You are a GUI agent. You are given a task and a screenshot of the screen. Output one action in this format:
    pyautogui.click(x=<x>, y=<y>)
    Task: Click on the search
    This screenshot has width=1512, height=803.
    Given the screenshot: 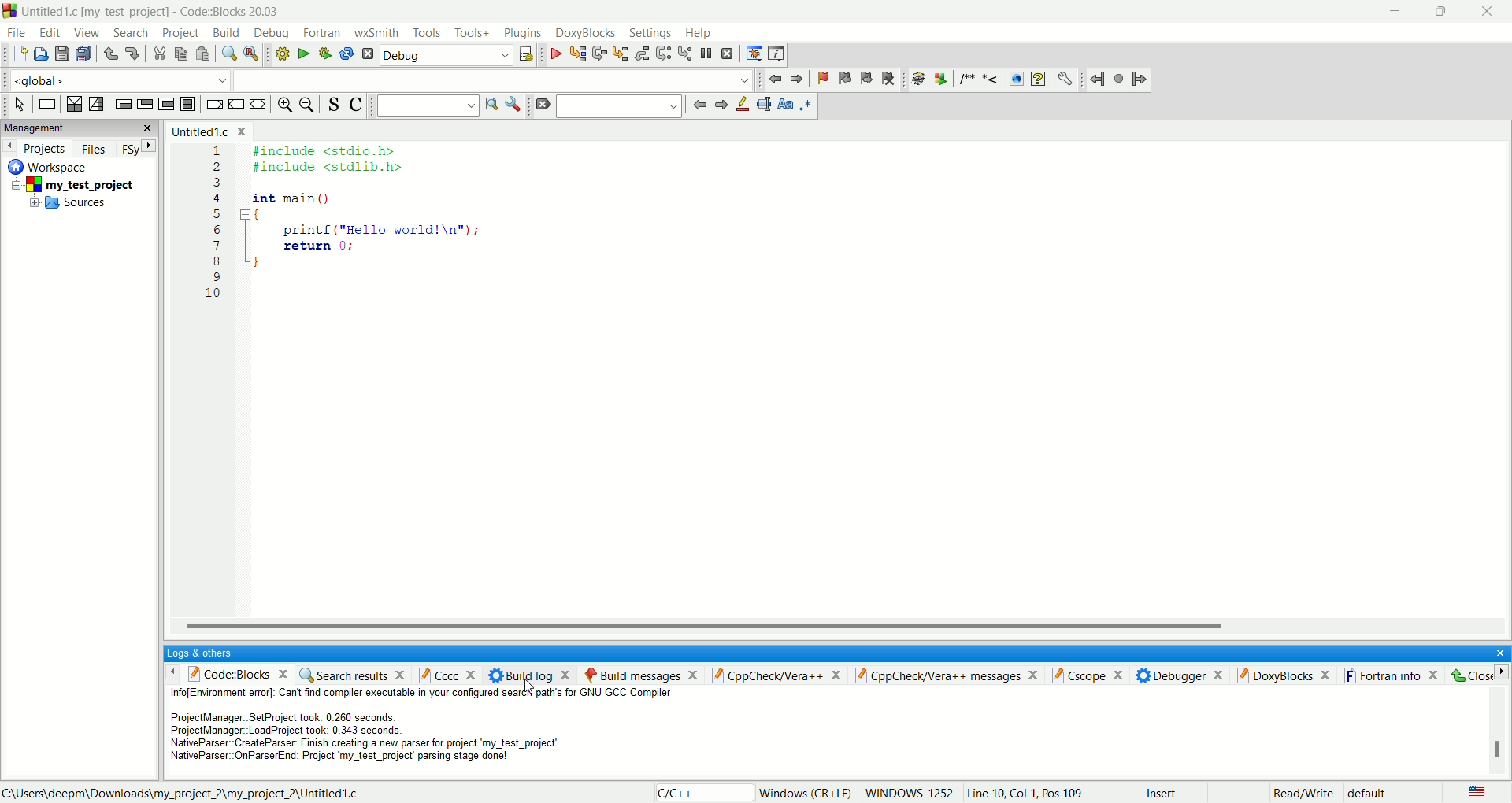 What is the action you would take?
    pyautogui.click(x=129, y=34)
    